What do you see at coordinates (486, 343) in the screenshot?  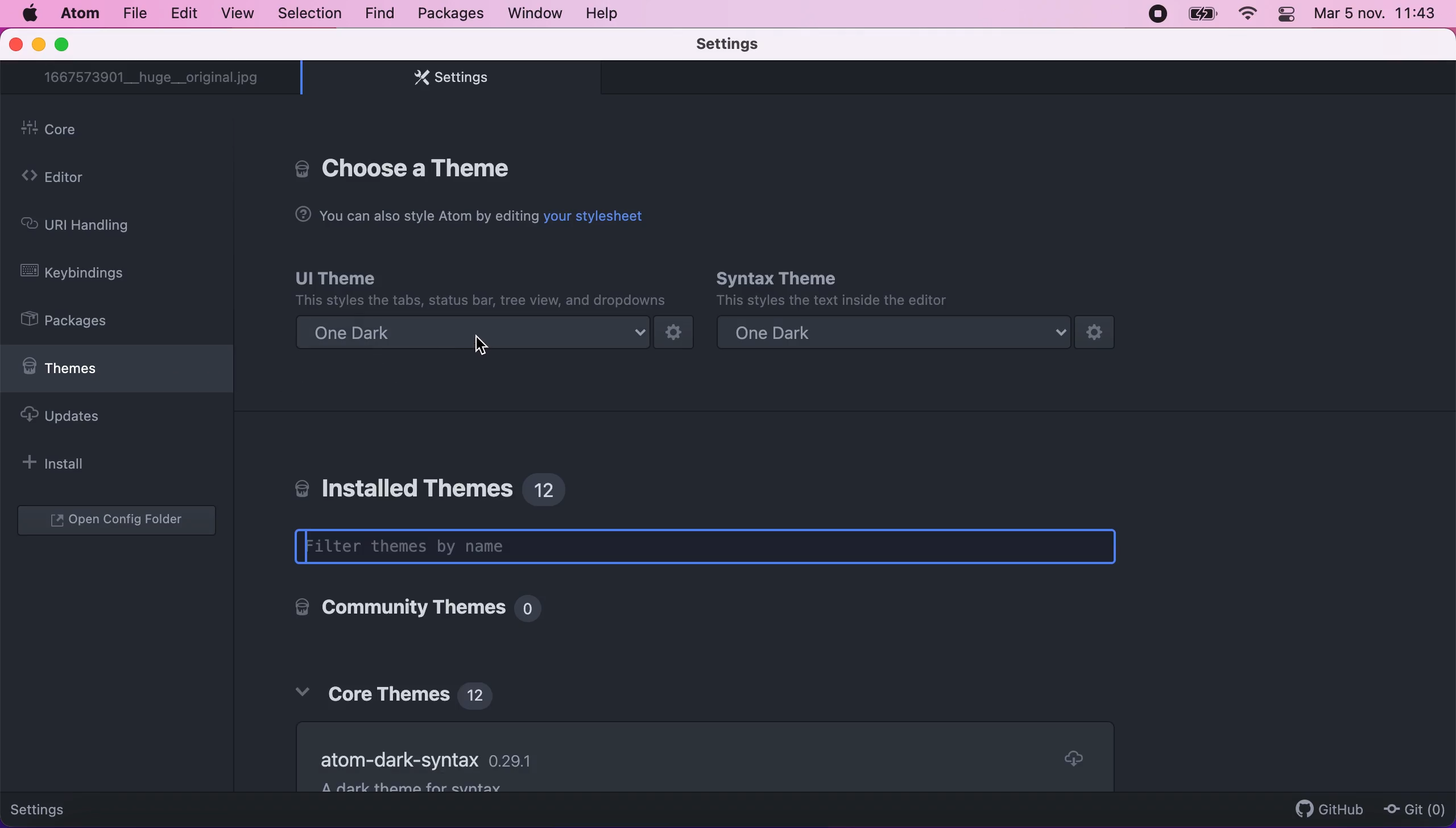 I see `cursor` at bounding box center [486, 343].